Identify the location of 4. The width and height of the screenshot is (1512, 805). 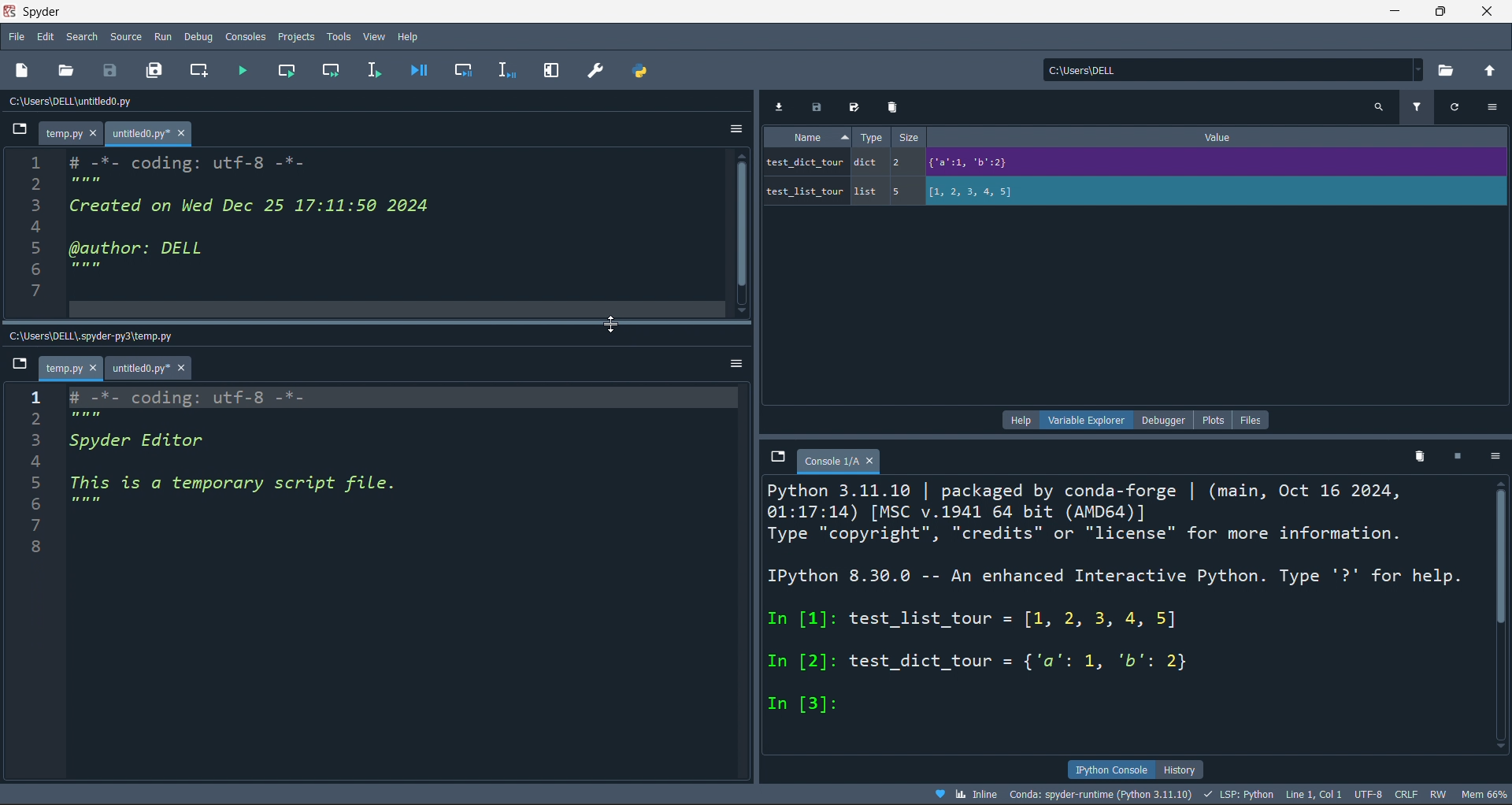
(45, 227).